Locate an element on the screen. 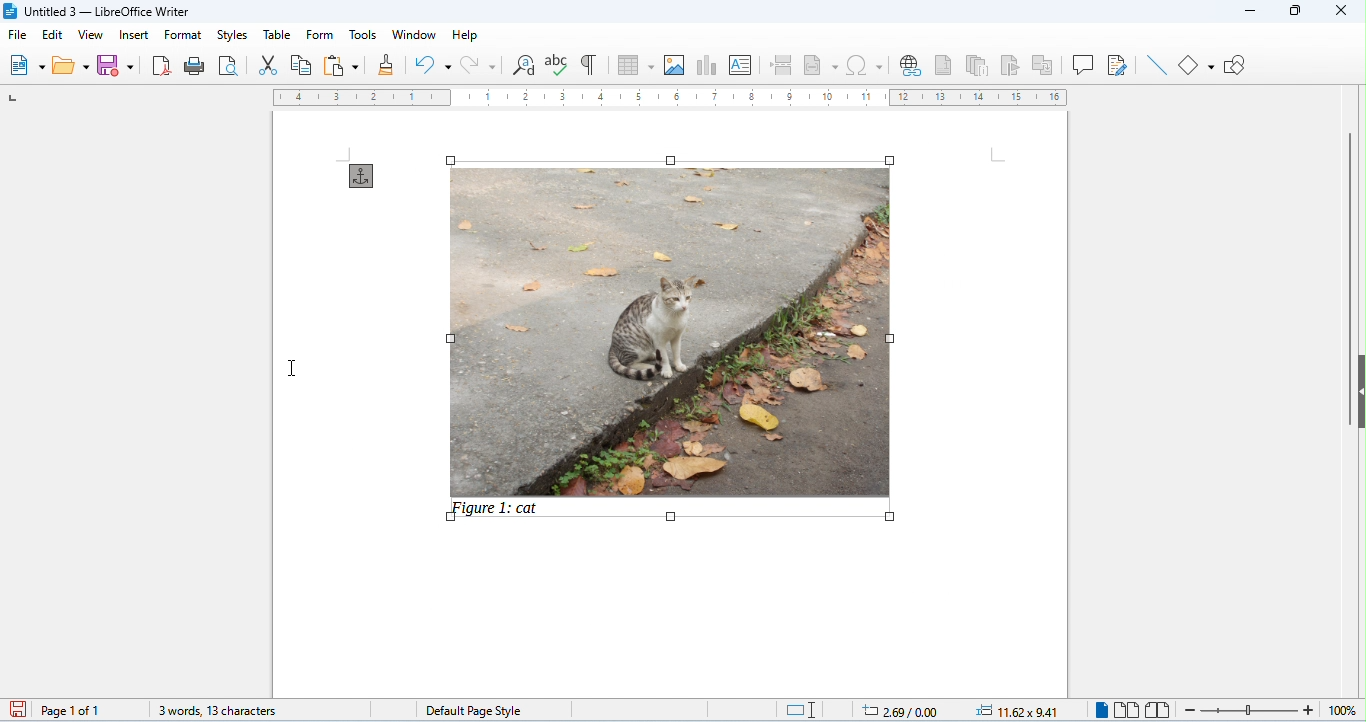 The image size is (1366, 722). insert image is located at coordinates (675, 66).